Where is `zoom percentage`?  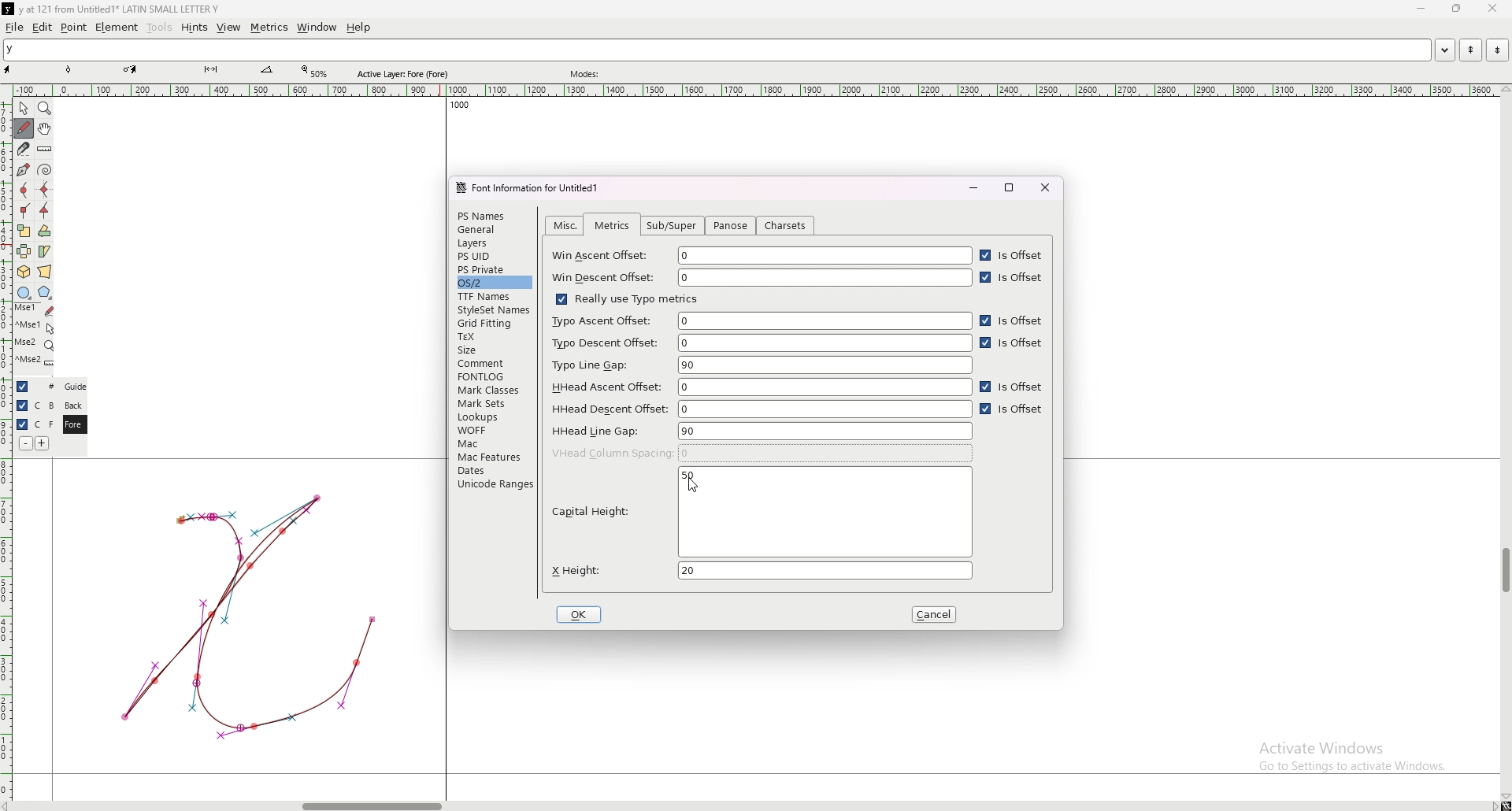 zoom percentage is located at coordinates (317, 72).